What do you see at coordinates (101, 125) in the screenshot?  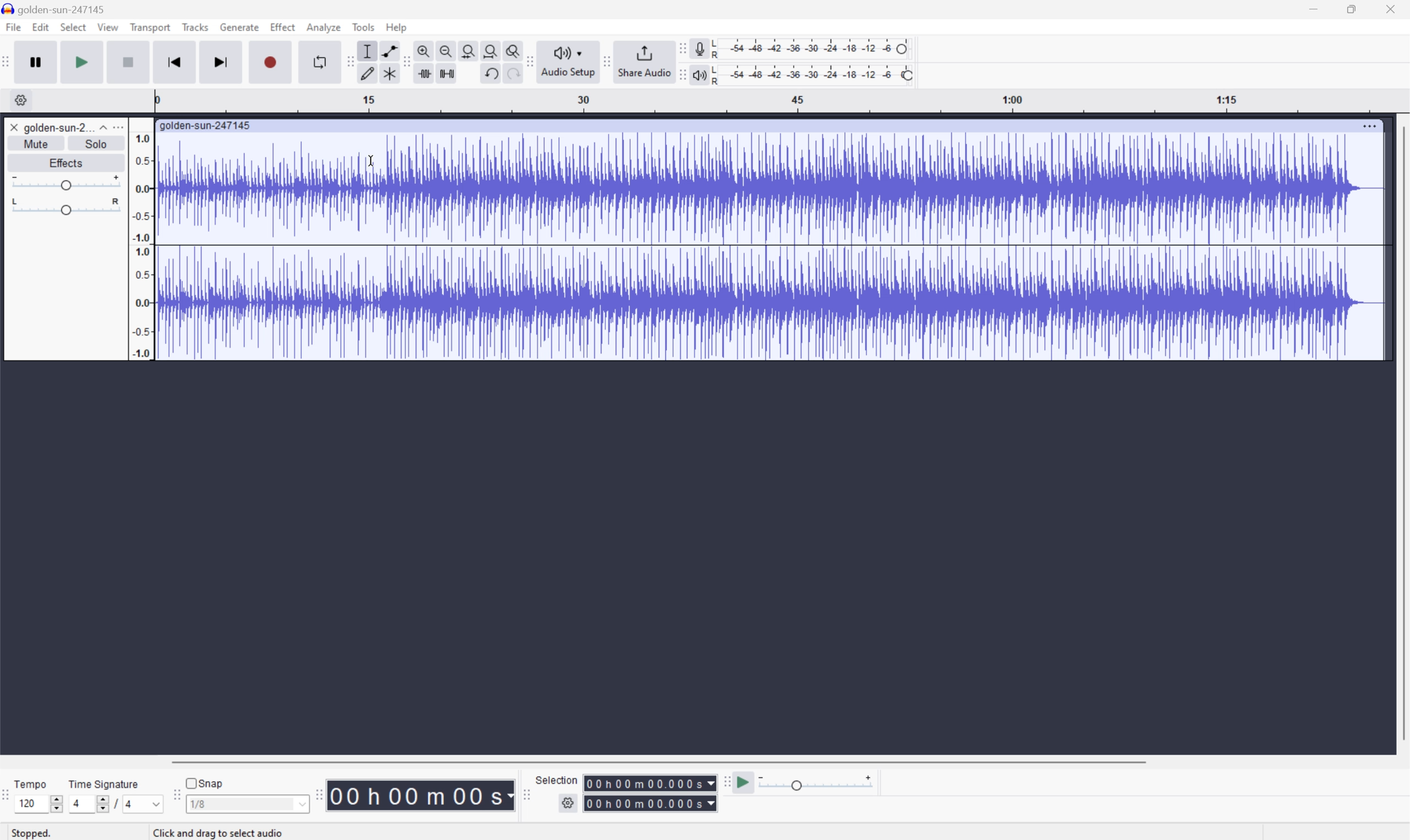 I see `Drop Down` at bounding box center [101, 125].